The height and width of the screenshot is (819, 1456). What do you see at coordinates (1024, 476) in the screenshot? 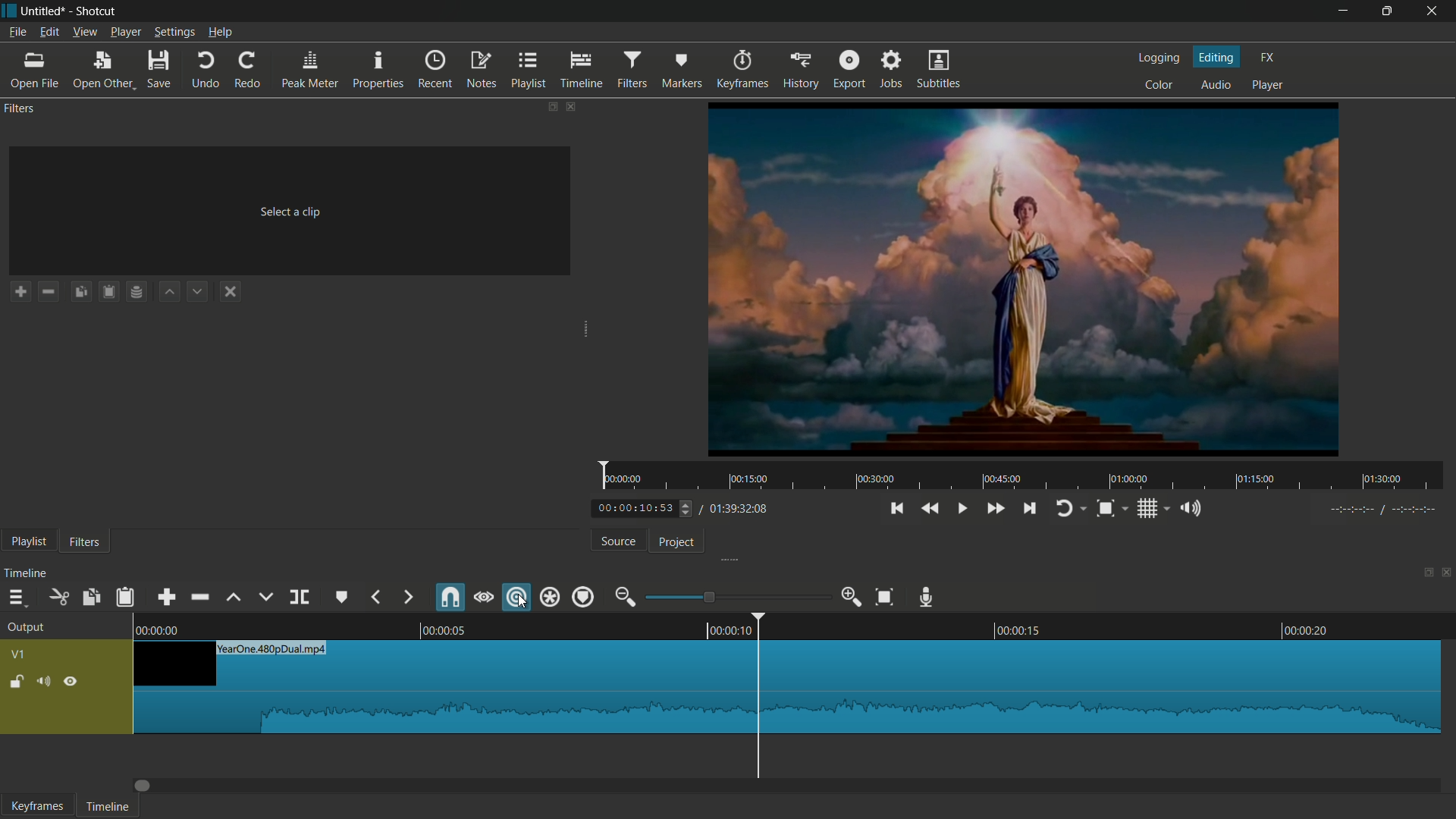
I see `time` at bounding box center [1024, 476].